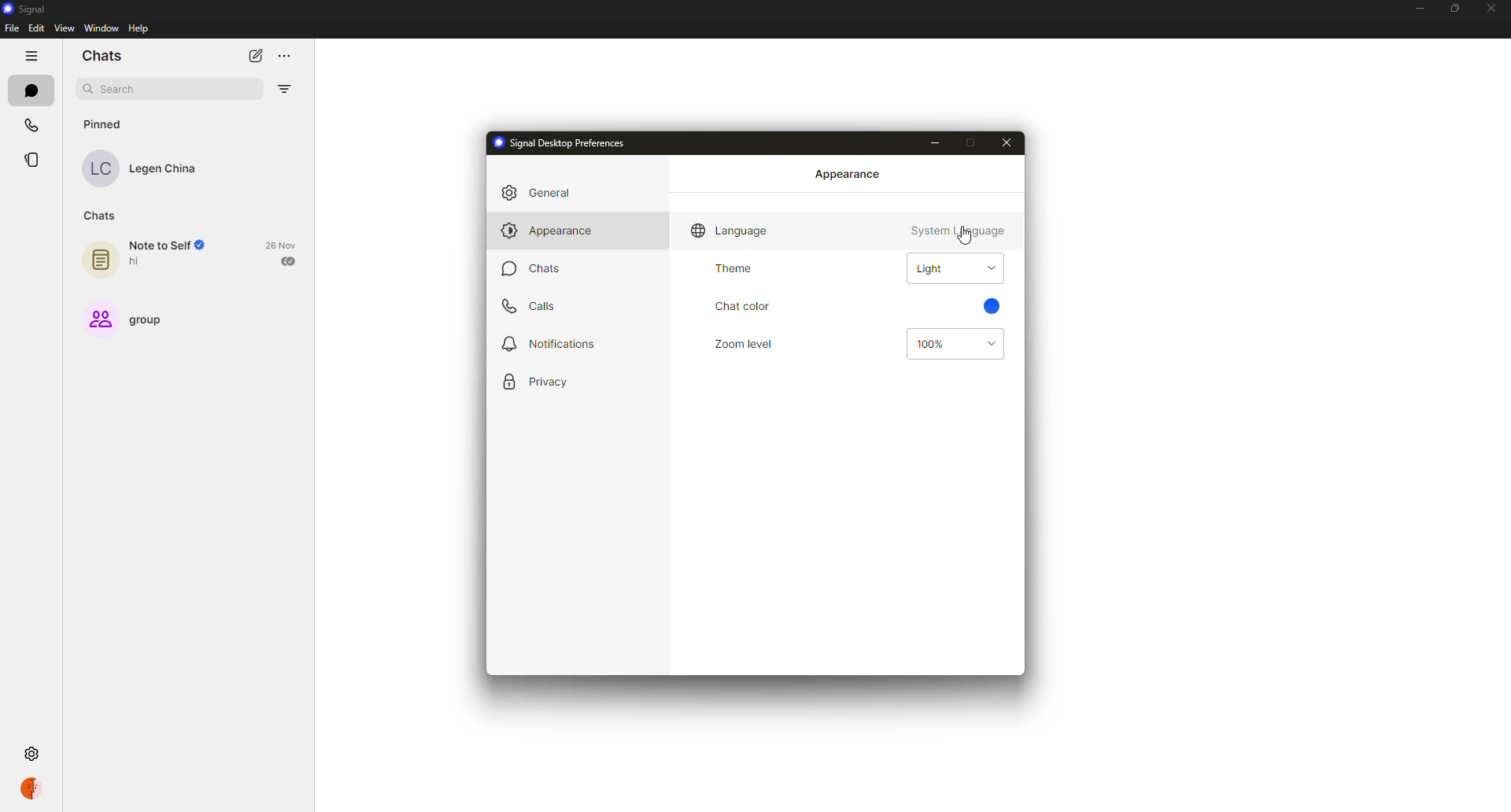  I want to click on window, so click(101, 29).